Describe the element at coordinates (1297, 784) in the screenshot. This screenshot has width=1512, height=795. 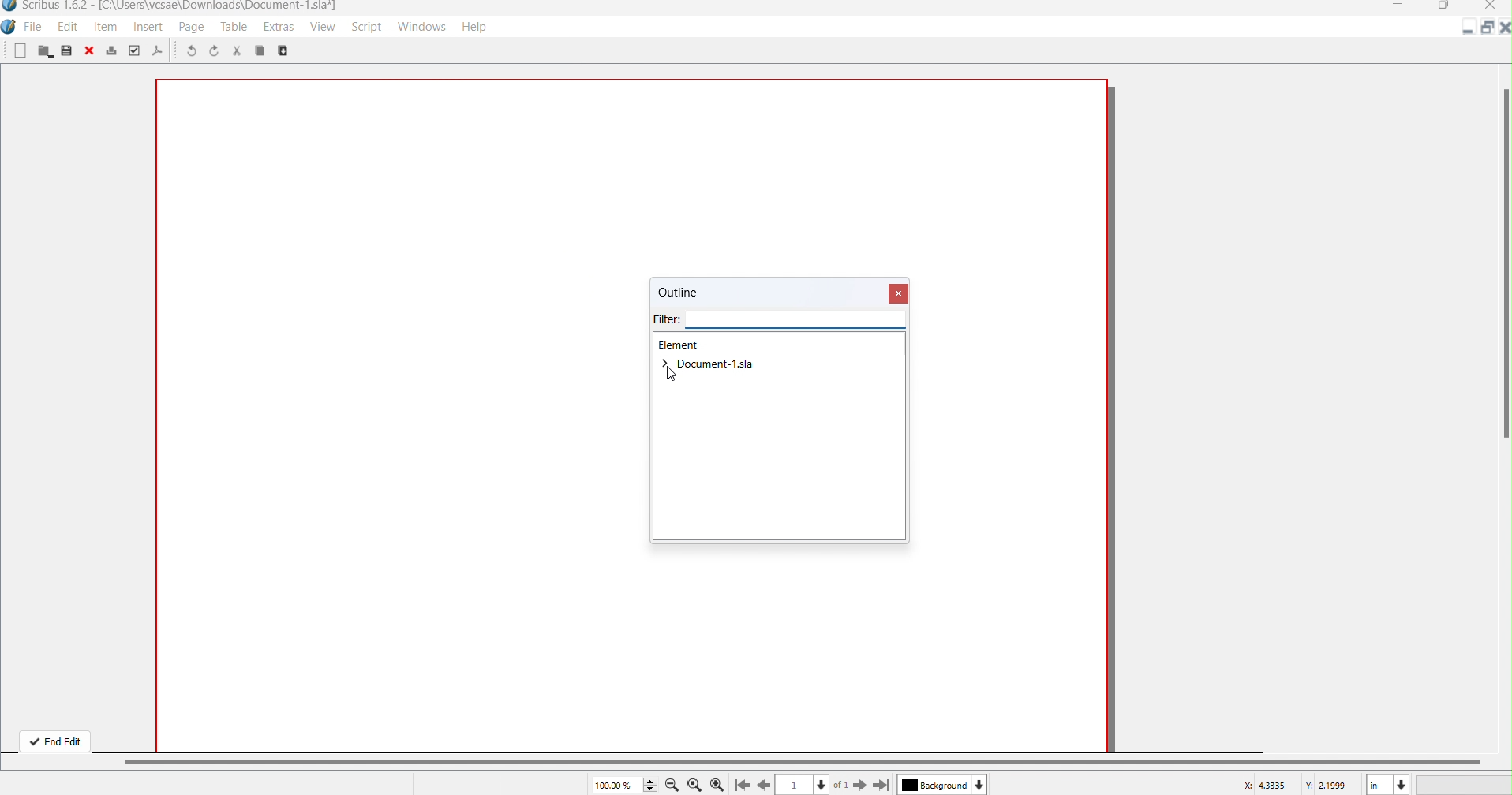
I see `X: 25083  Y: -01250` at that location.